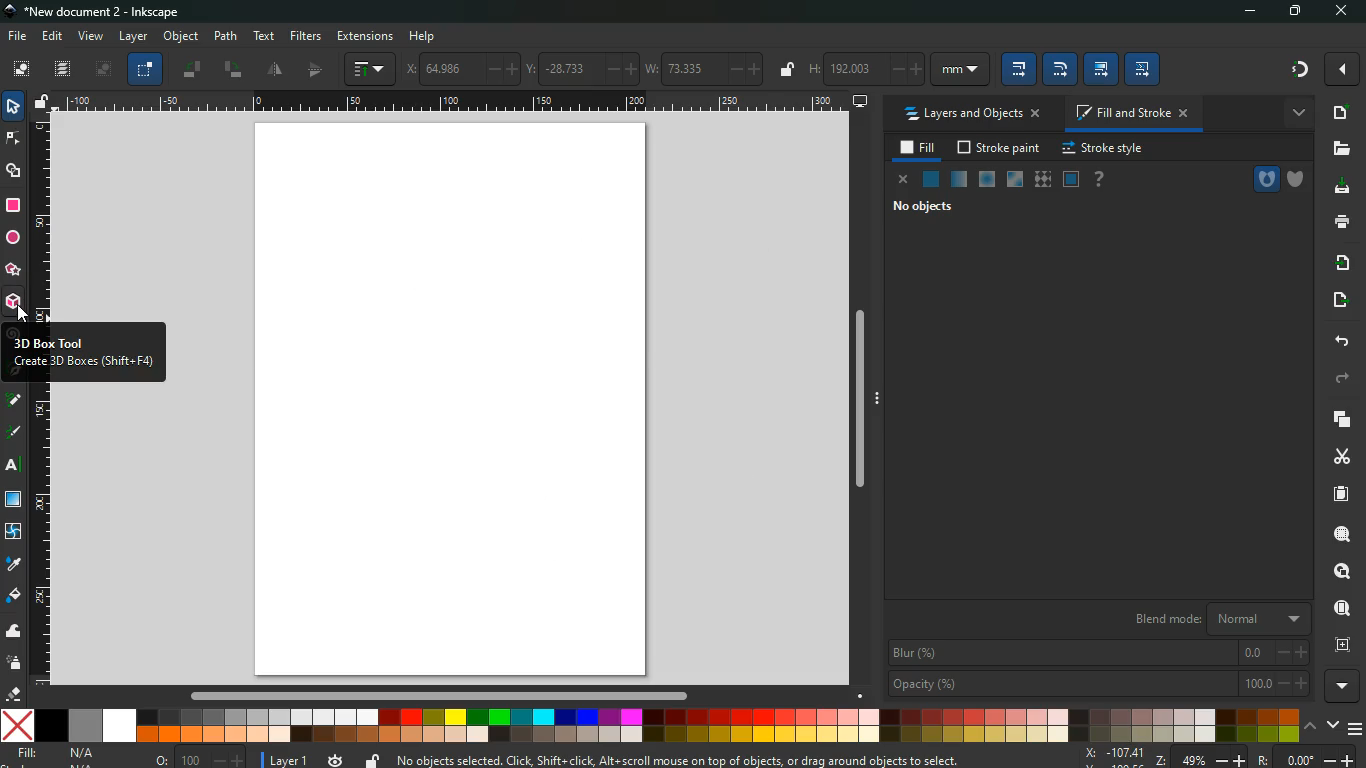  Describe the element at coordinates (14, 596) in the screenshot. I see `fill` at that location.